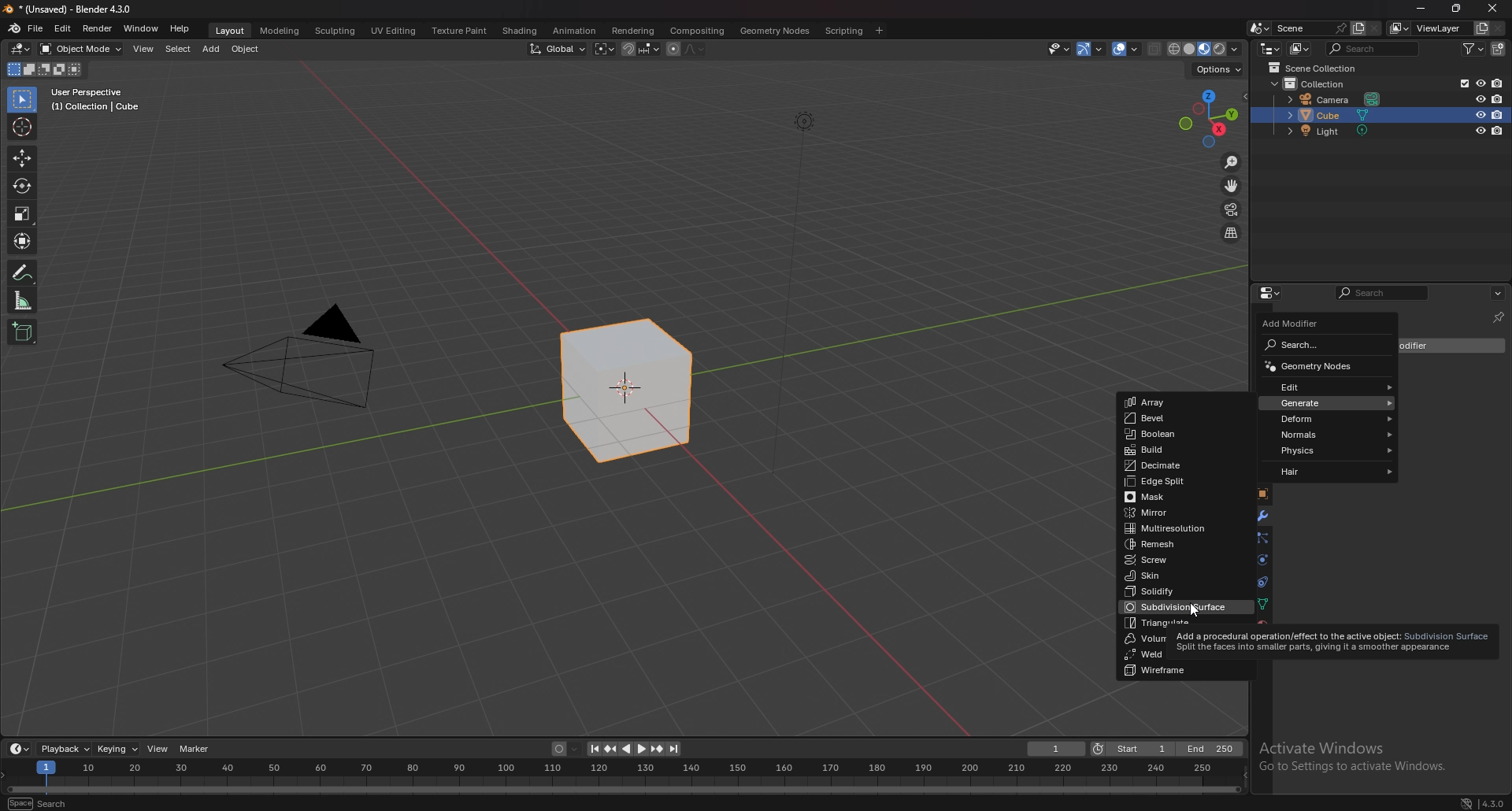  Describe the element at coordinates (1261, 581) in the screenshot. I see `constraints` at that location.